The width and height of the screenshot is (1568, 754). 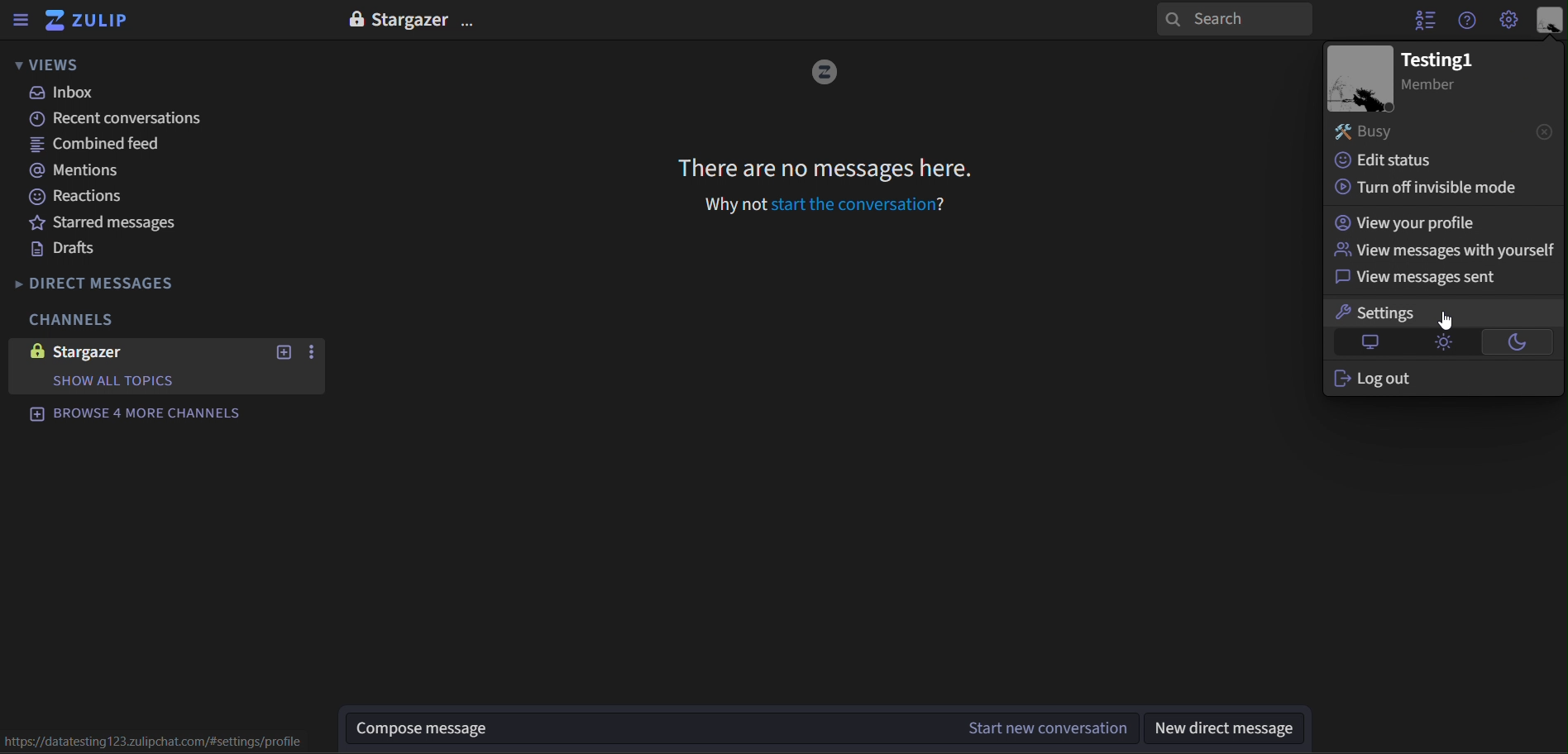 I want to click on combined feed, so click(x=98, y=146).